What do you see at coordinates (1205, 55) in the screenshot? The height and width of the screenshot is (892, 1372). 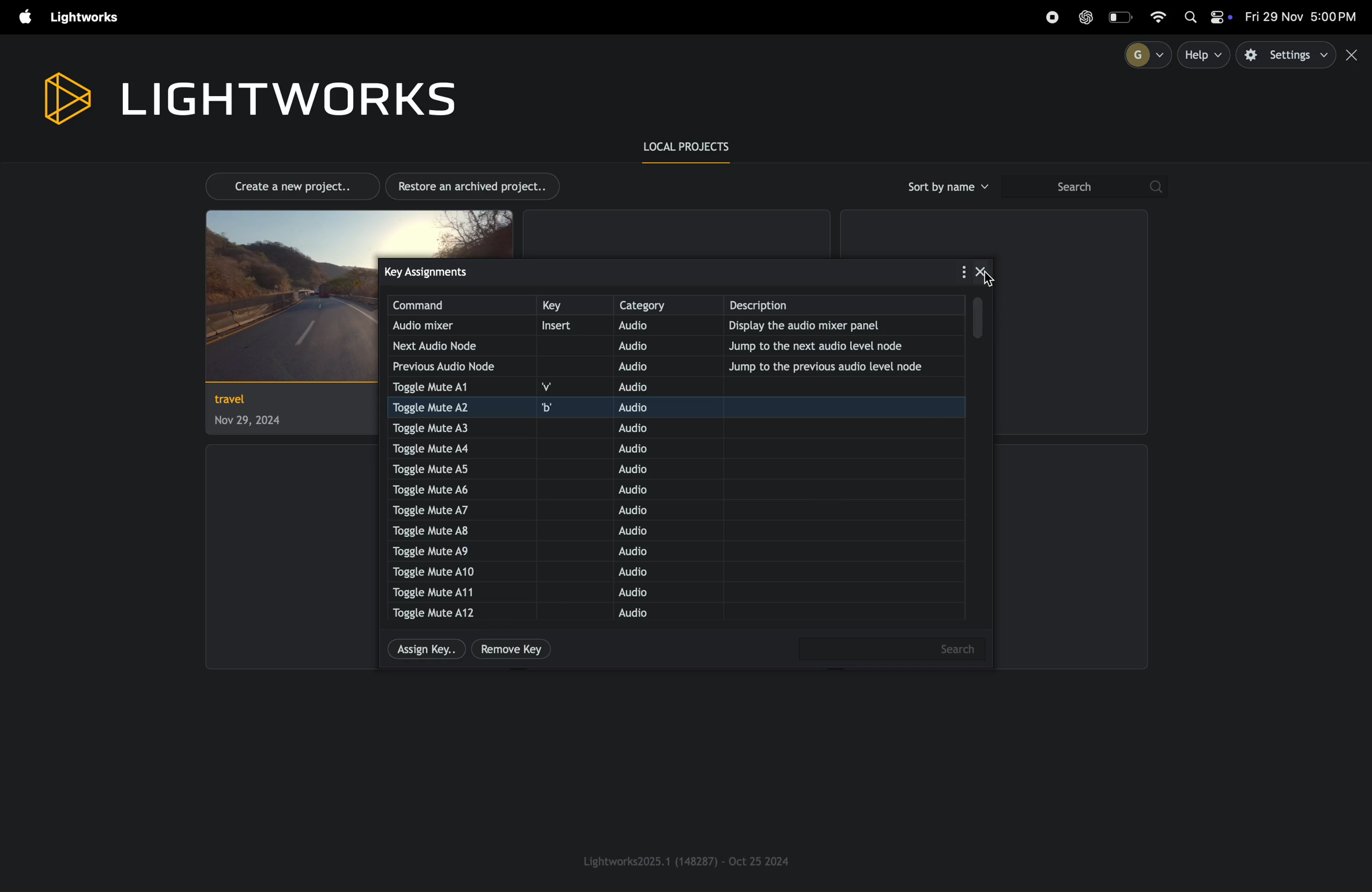 I see `help` at bounding box center [1205, 55].